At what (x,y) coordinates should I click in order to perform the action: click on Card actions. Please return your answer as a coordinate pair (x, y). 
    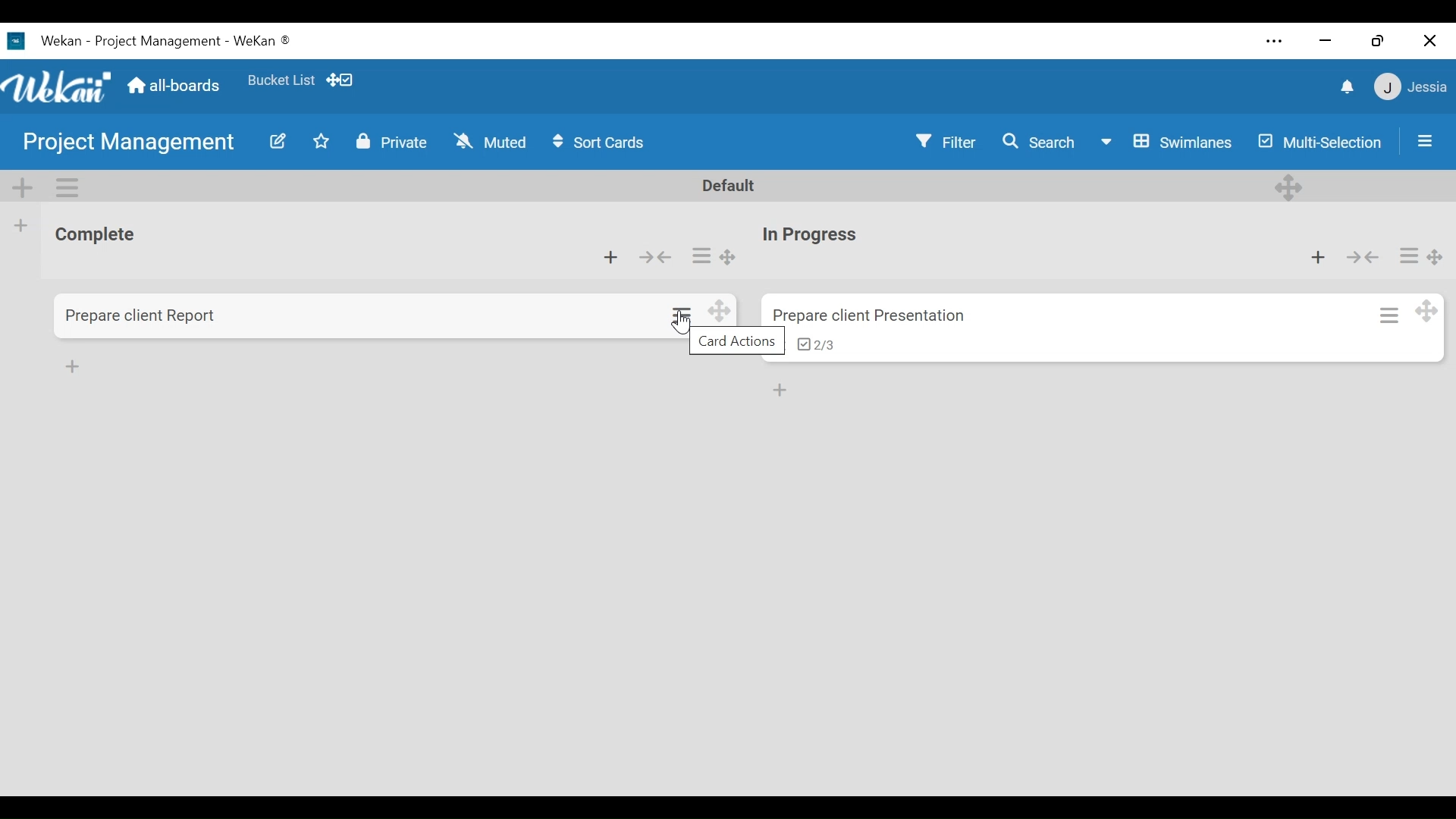
    Looking at the image, I should click on (702, 256).